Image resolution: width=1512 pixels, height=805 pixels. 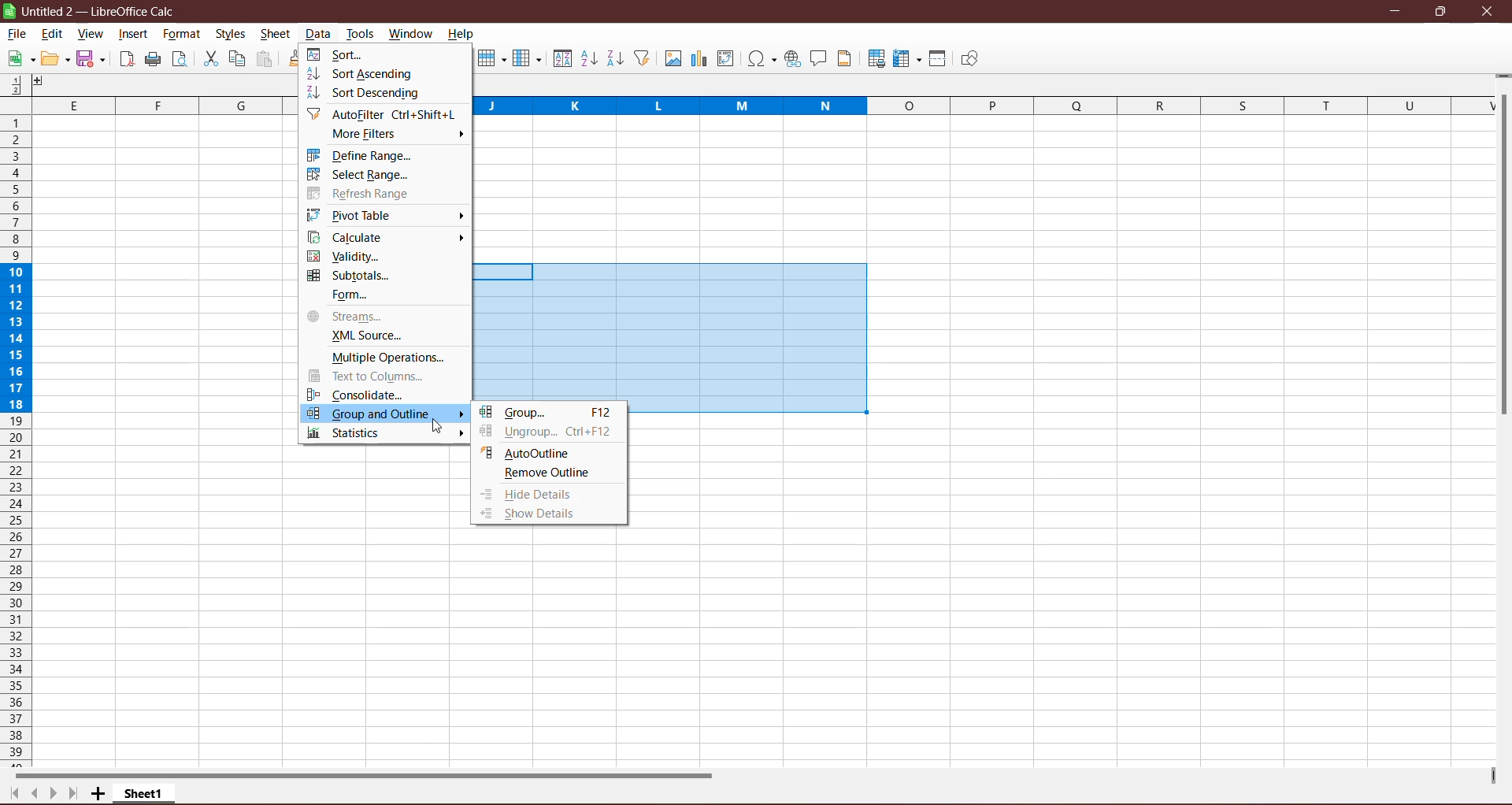 I want to click on Edit, so click(x=56, y=59).